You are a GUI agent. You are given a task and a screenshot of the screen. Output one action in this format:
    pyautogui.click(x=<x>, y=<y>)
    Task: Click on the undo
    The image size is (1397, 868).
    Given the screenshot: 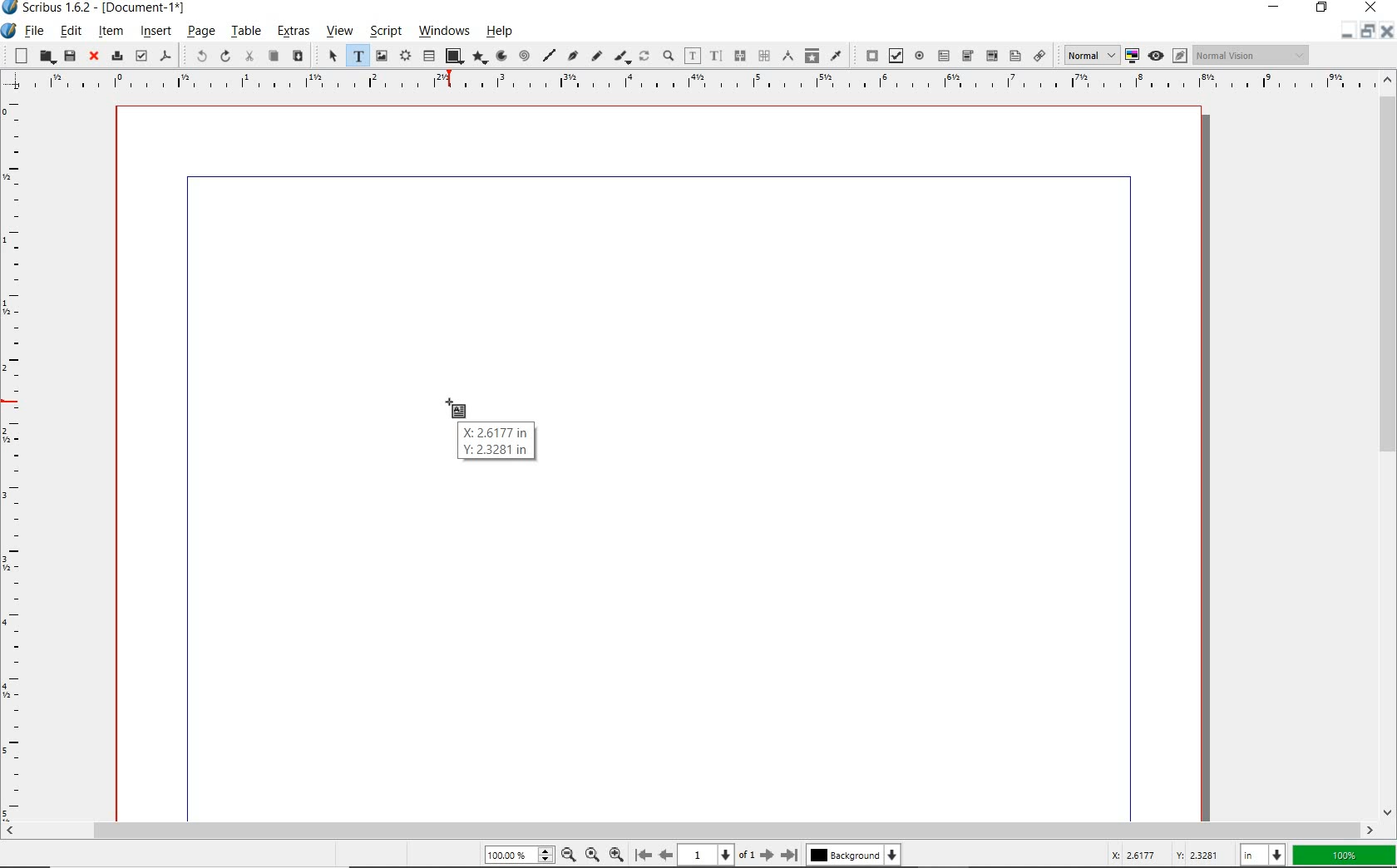 What is the action you would take?
    pyautogui.click(x=196, y=55)
    